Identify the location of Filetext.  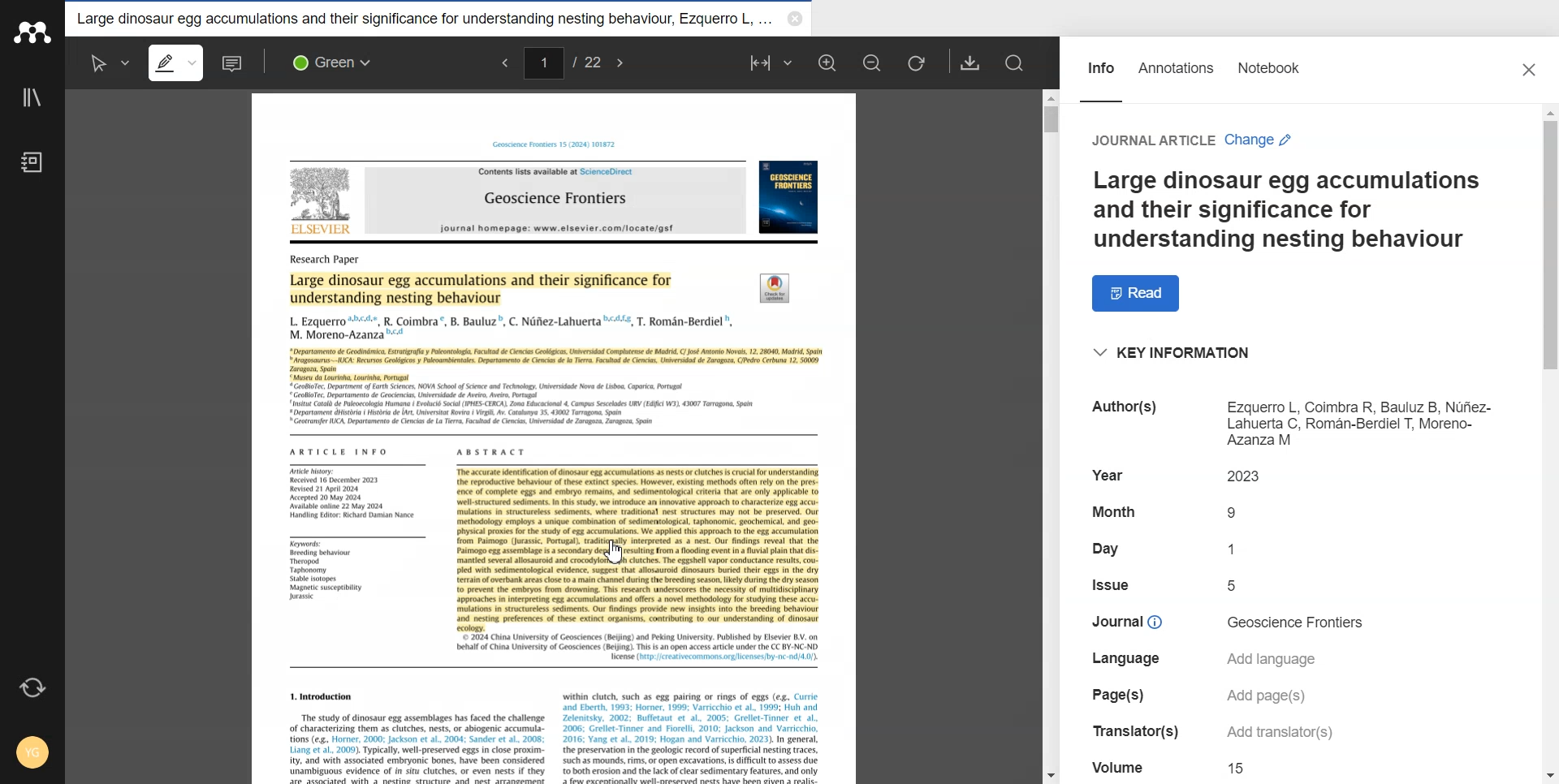
(1120, 765).